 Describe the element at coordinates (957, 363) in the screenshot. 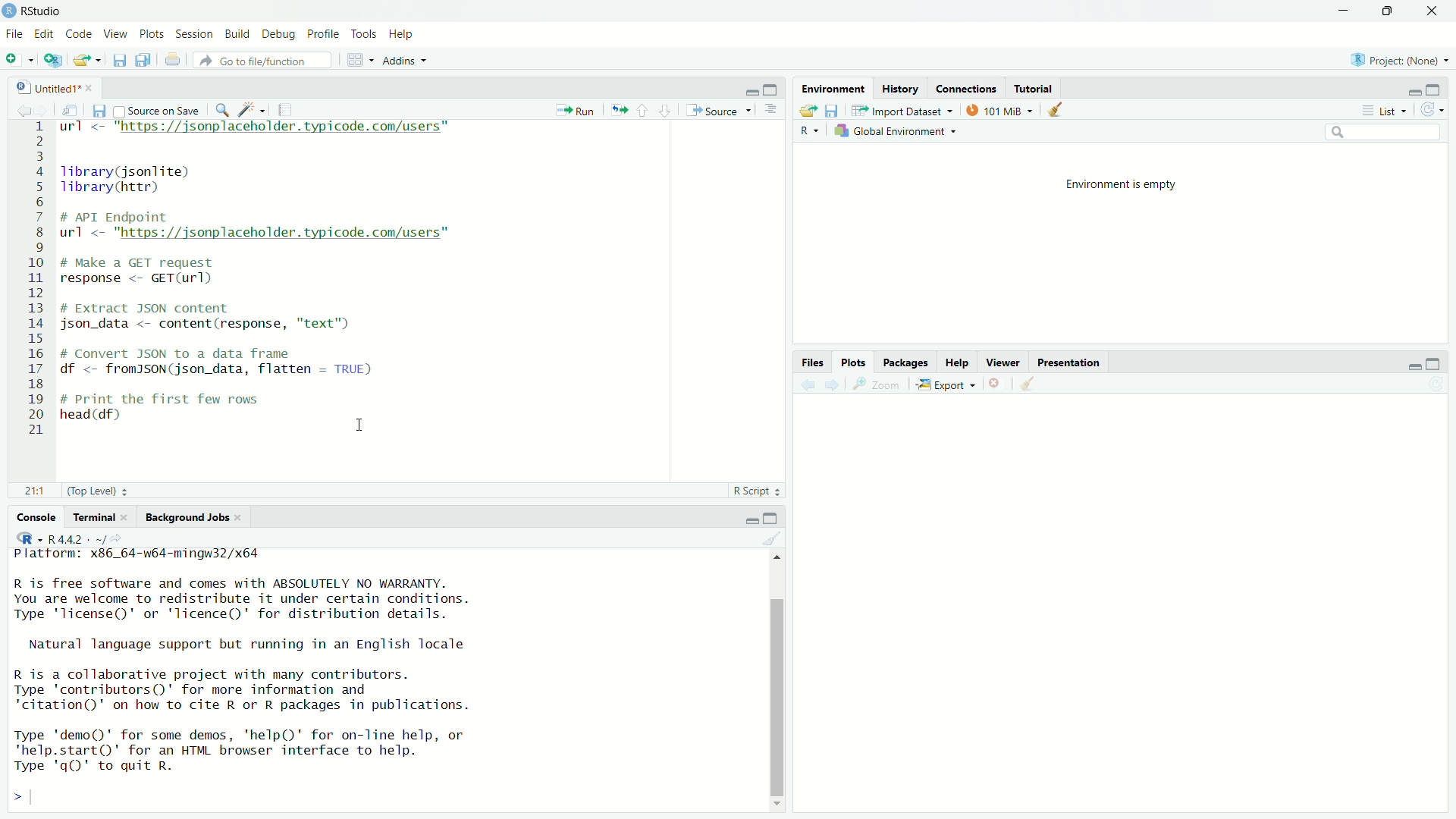

I see `Help` at that location.